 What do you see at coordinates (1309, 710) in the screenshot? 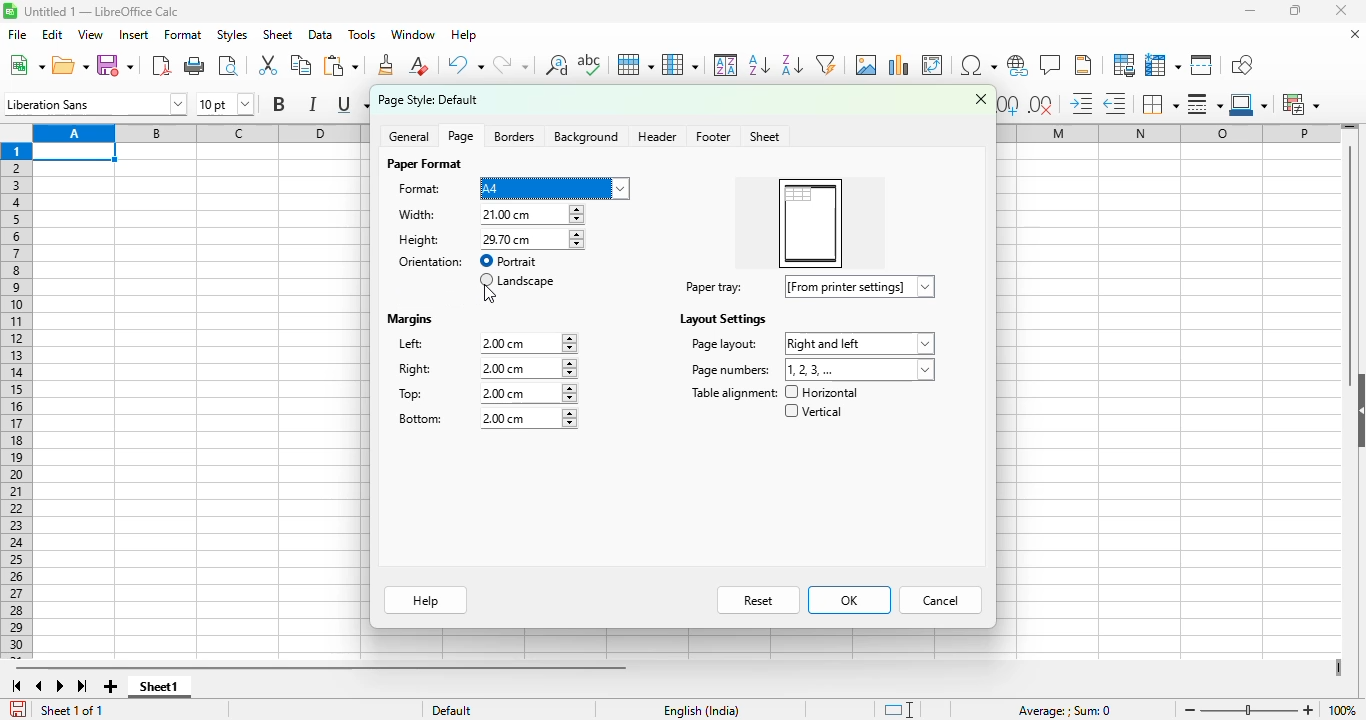
I see `zoom in` at bounding box center [1309, 710].